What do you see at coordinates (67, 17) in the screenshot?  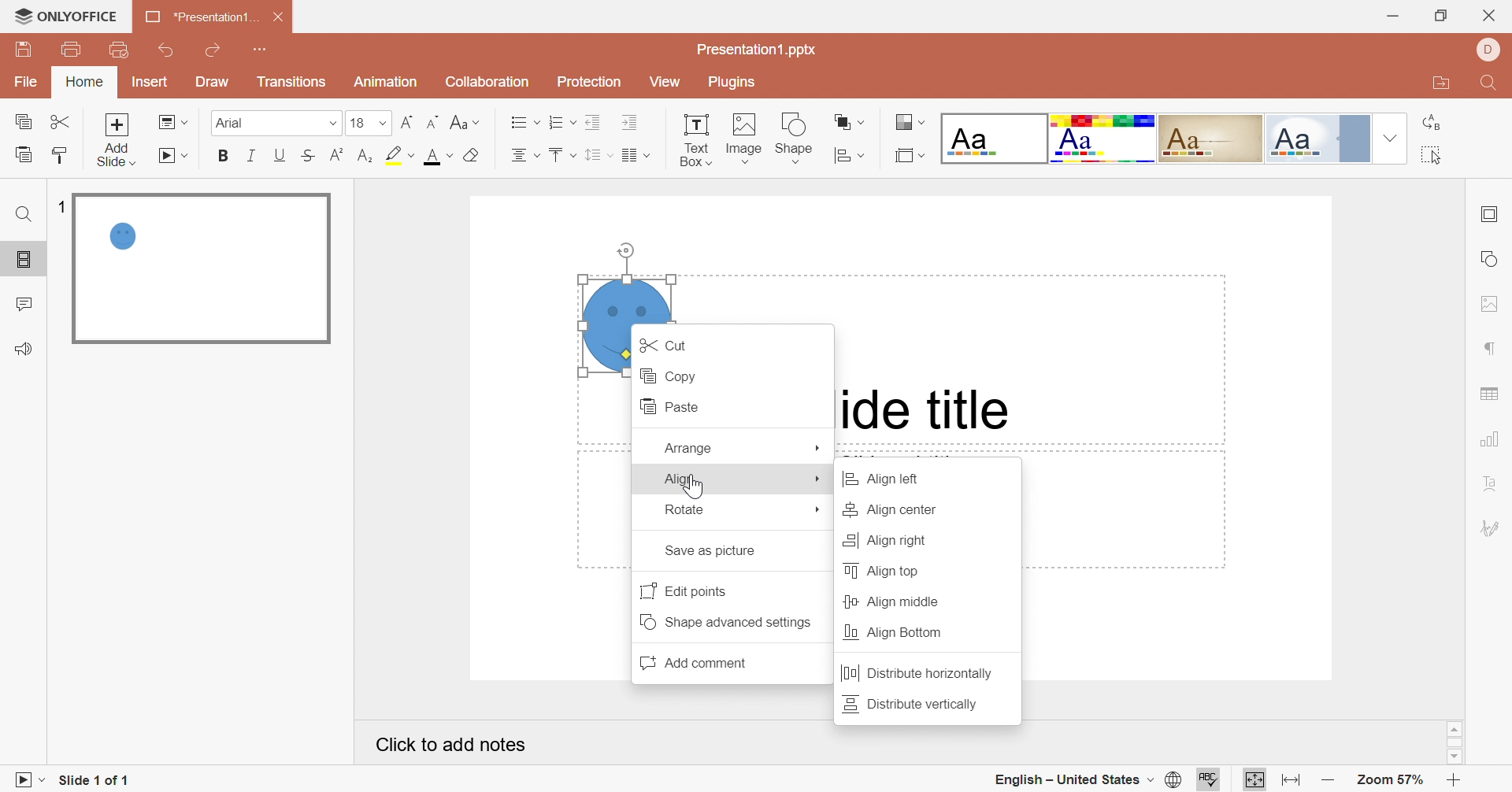 I see `ONLYOFFICE` at bounding box center [67, 17].